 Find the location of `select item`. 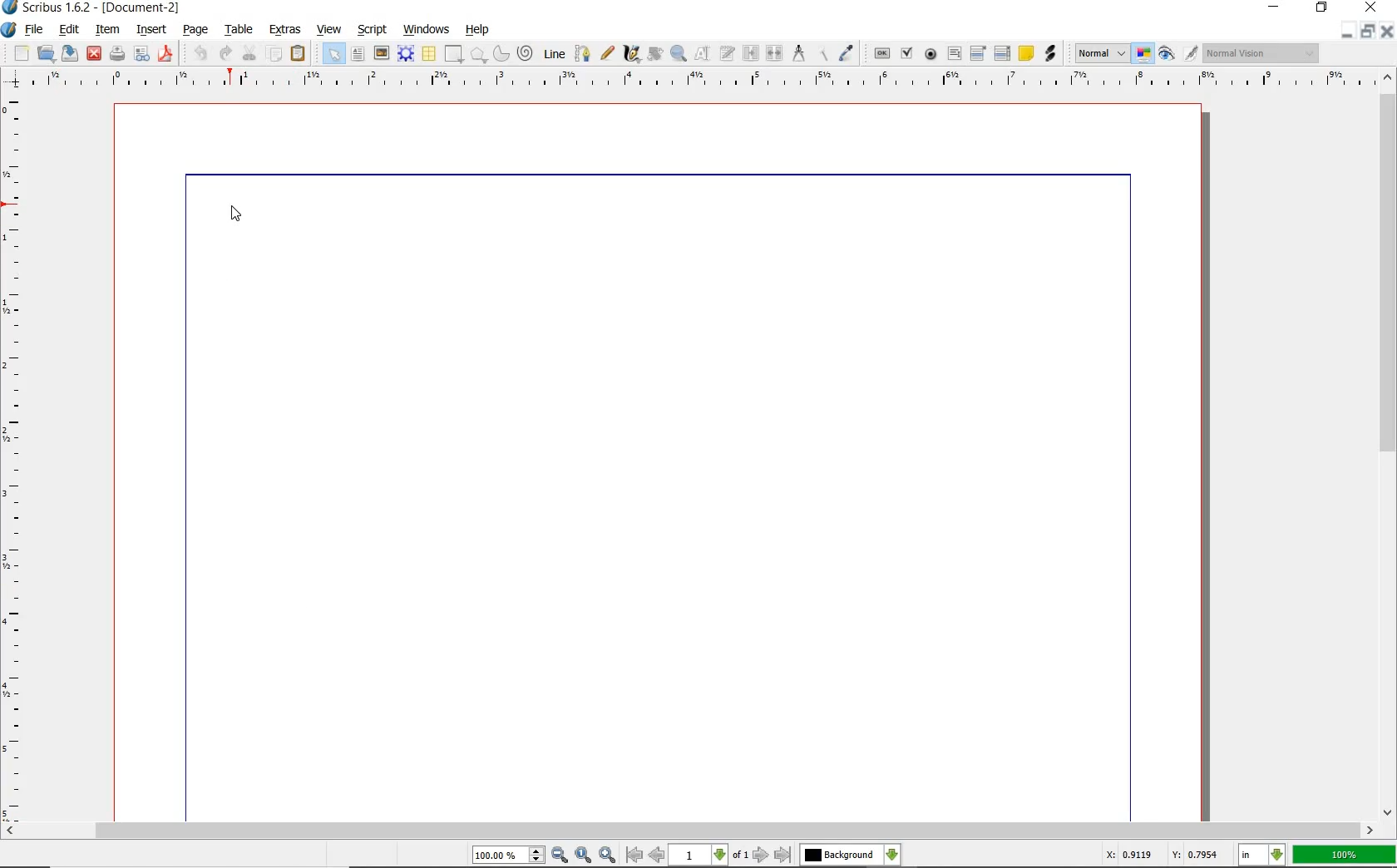

select item is located at coordinates (332, 52).